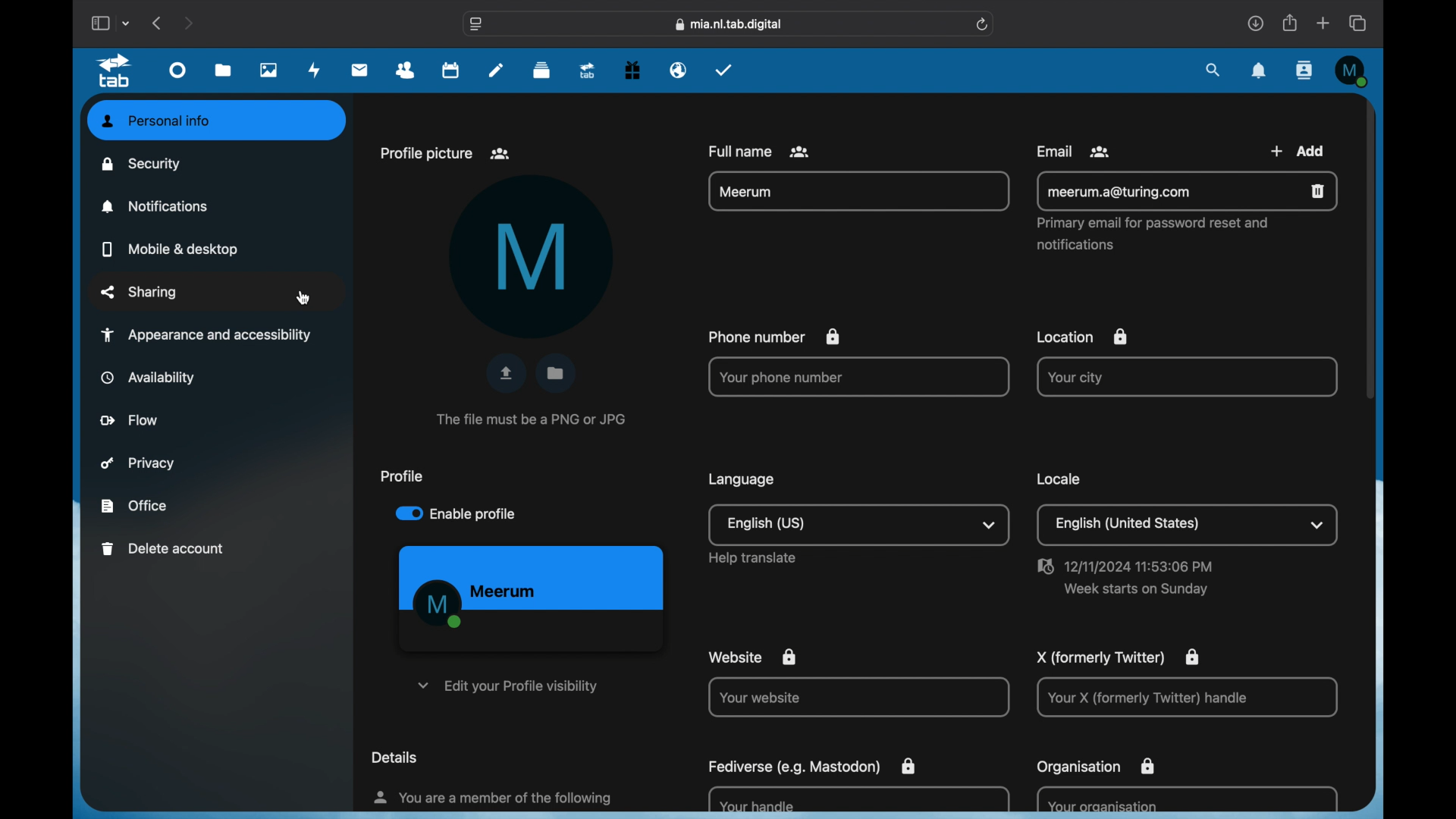 This screenshot has width=1456, height=819. What do you see at coordinates (1370, 249) in the screenshot?
I see `scroll box` at bounding box center [1370, 249].